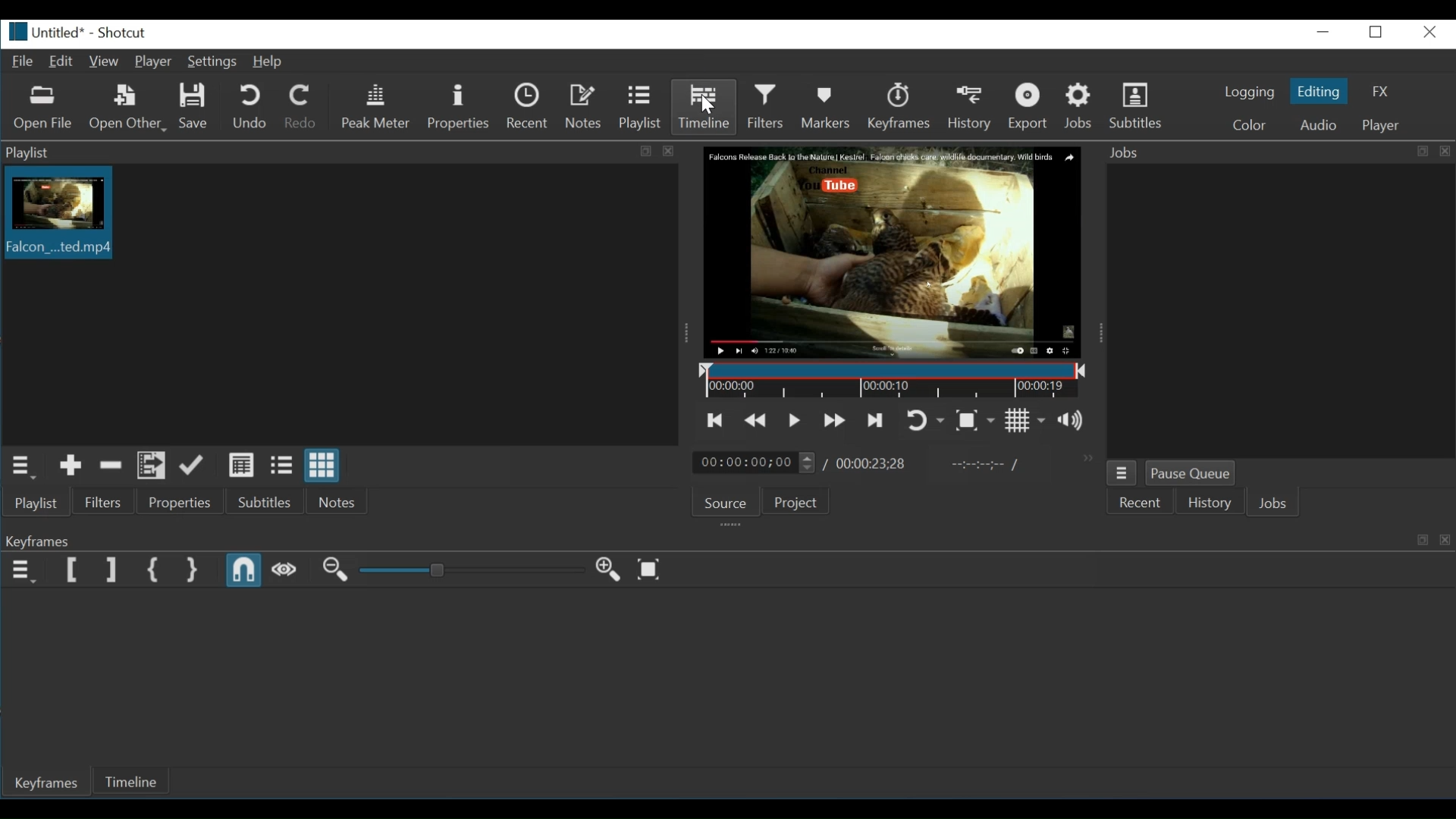 This screenshot has width=1456, height=819. What do you see at coordinates (71, 570) in the screenshot?
I see `Set Filter First ` at bounding box center [71, 570].